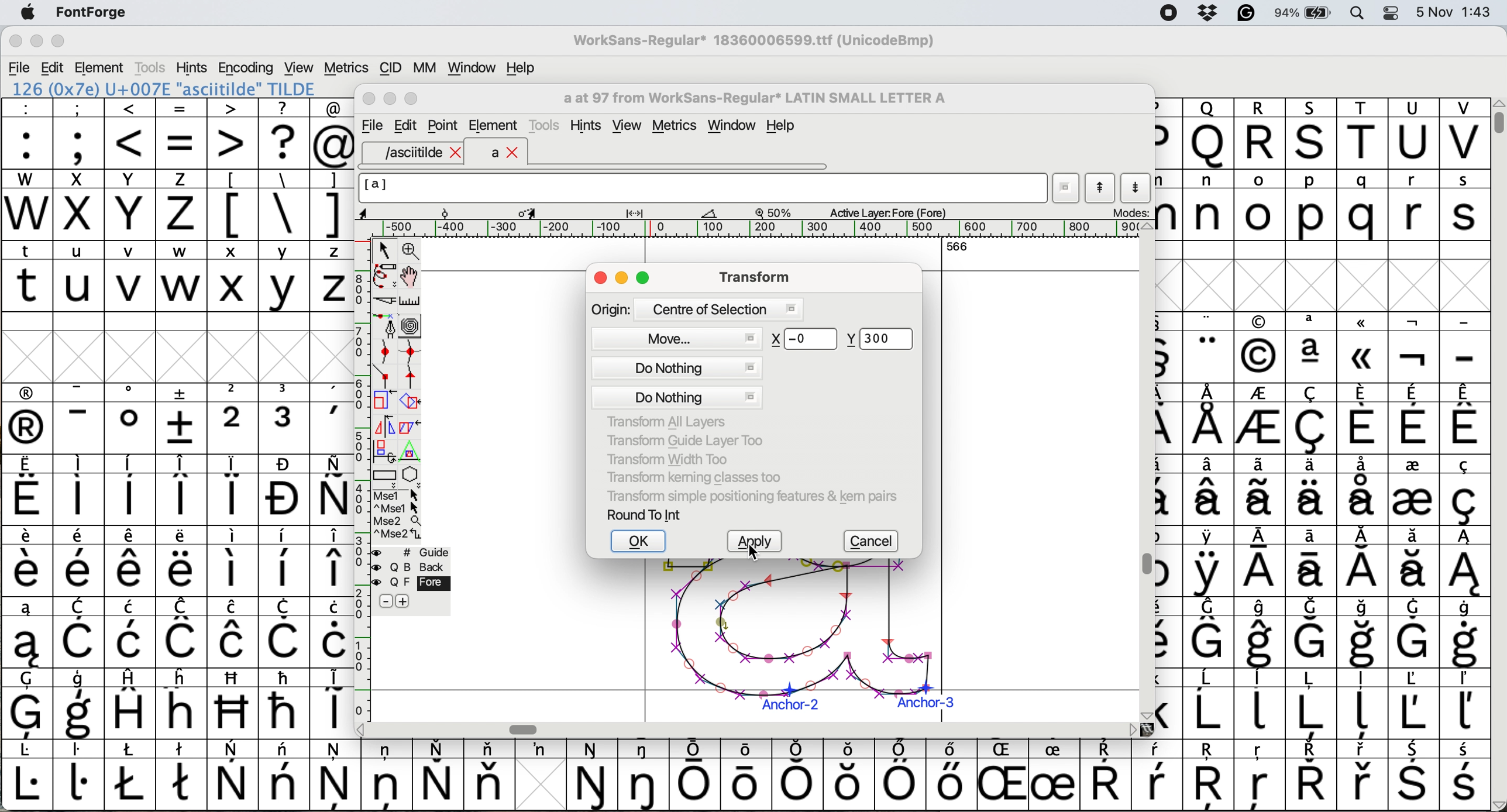 The image size is (1507, 812). I want to click on symbol, so click(1463, 490).